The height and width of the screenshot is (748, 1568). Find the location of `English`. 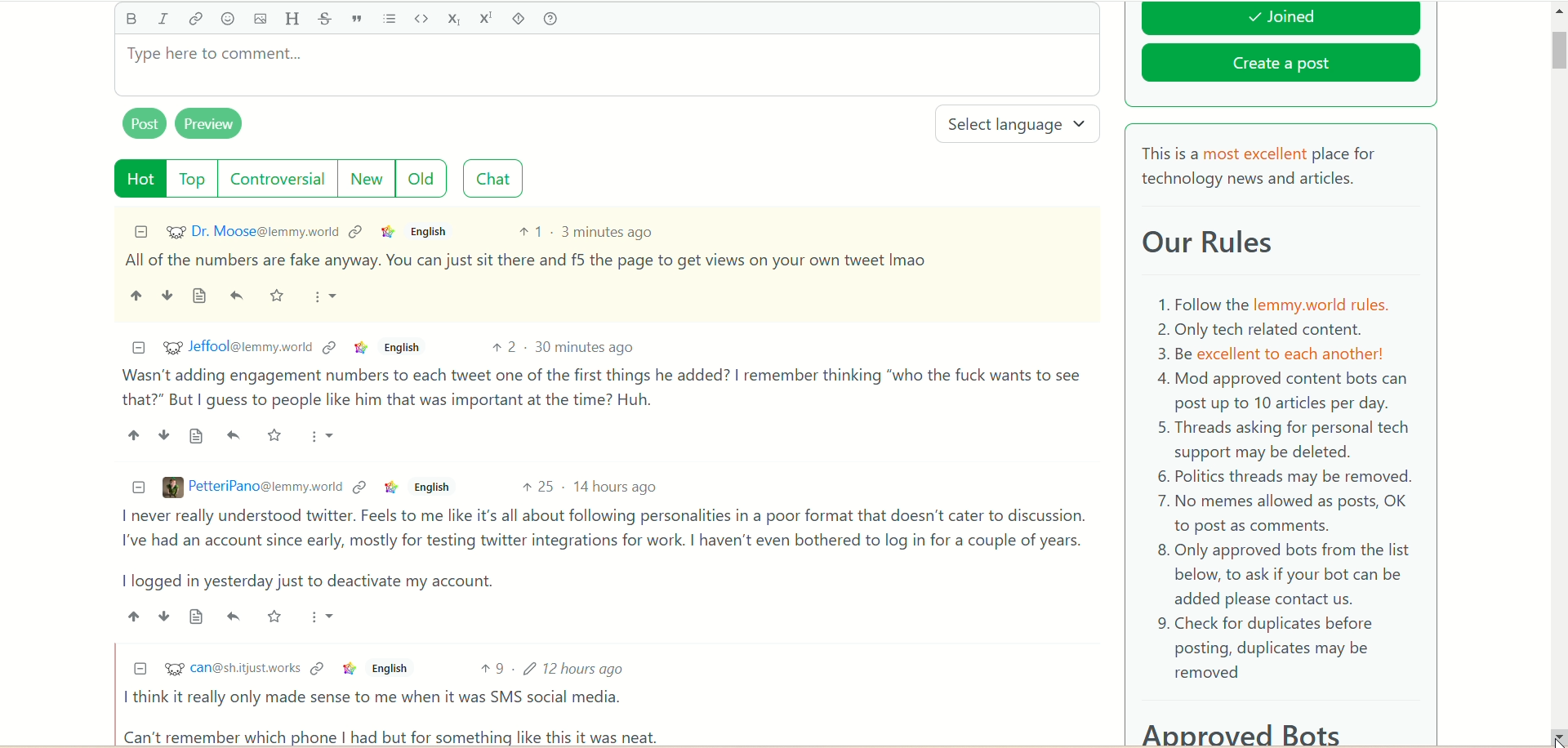

English is located at coordinates (430, 488).